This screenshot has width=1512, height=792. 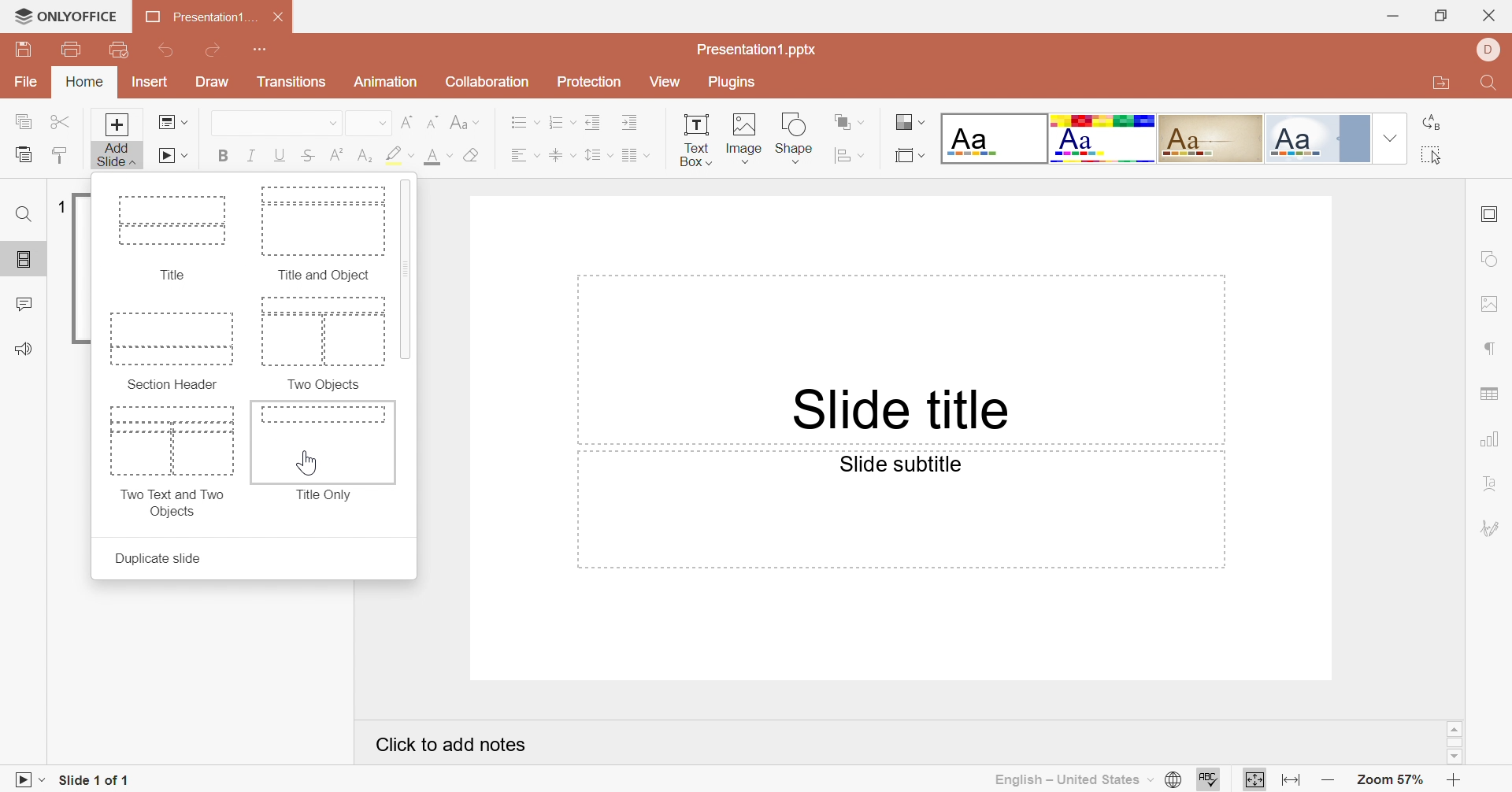 I want to click on Official, so click(x=1303, y=139).